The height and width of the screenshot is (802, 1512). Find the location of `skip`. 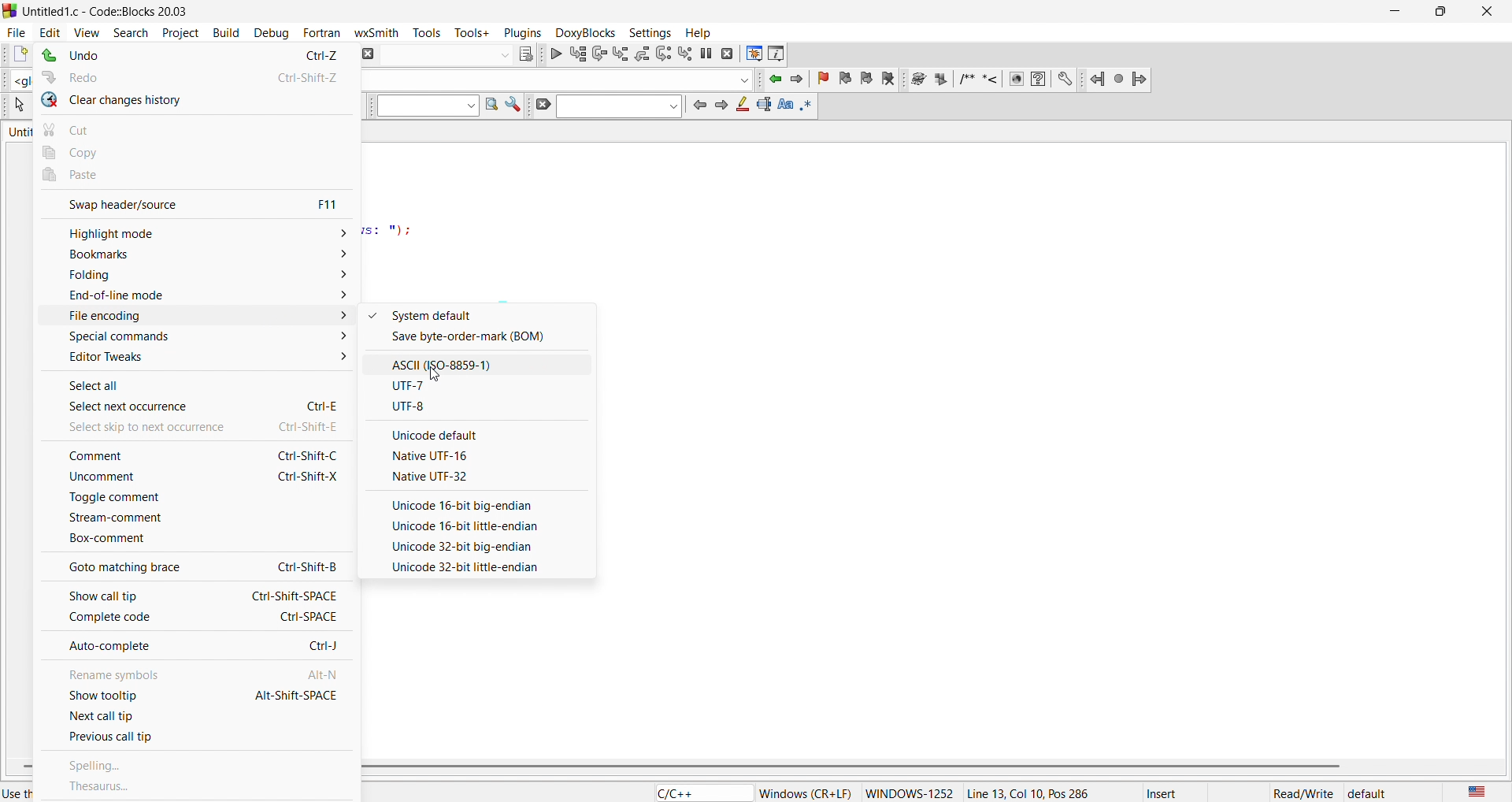

skip is located at coordinates (194, 429).